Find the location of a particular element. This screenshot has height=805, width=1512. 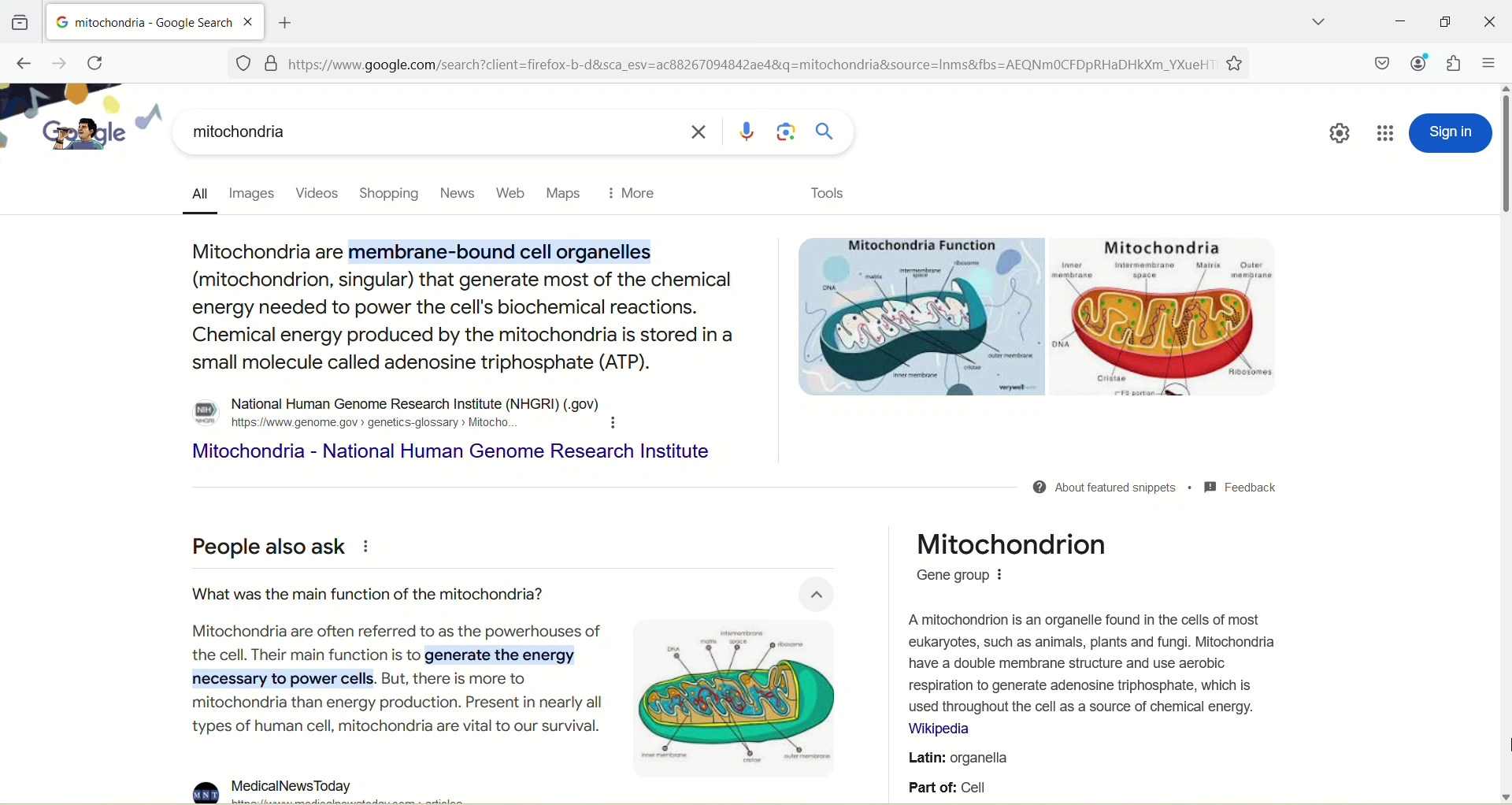

sign in is located at coordinates (1451, 134).